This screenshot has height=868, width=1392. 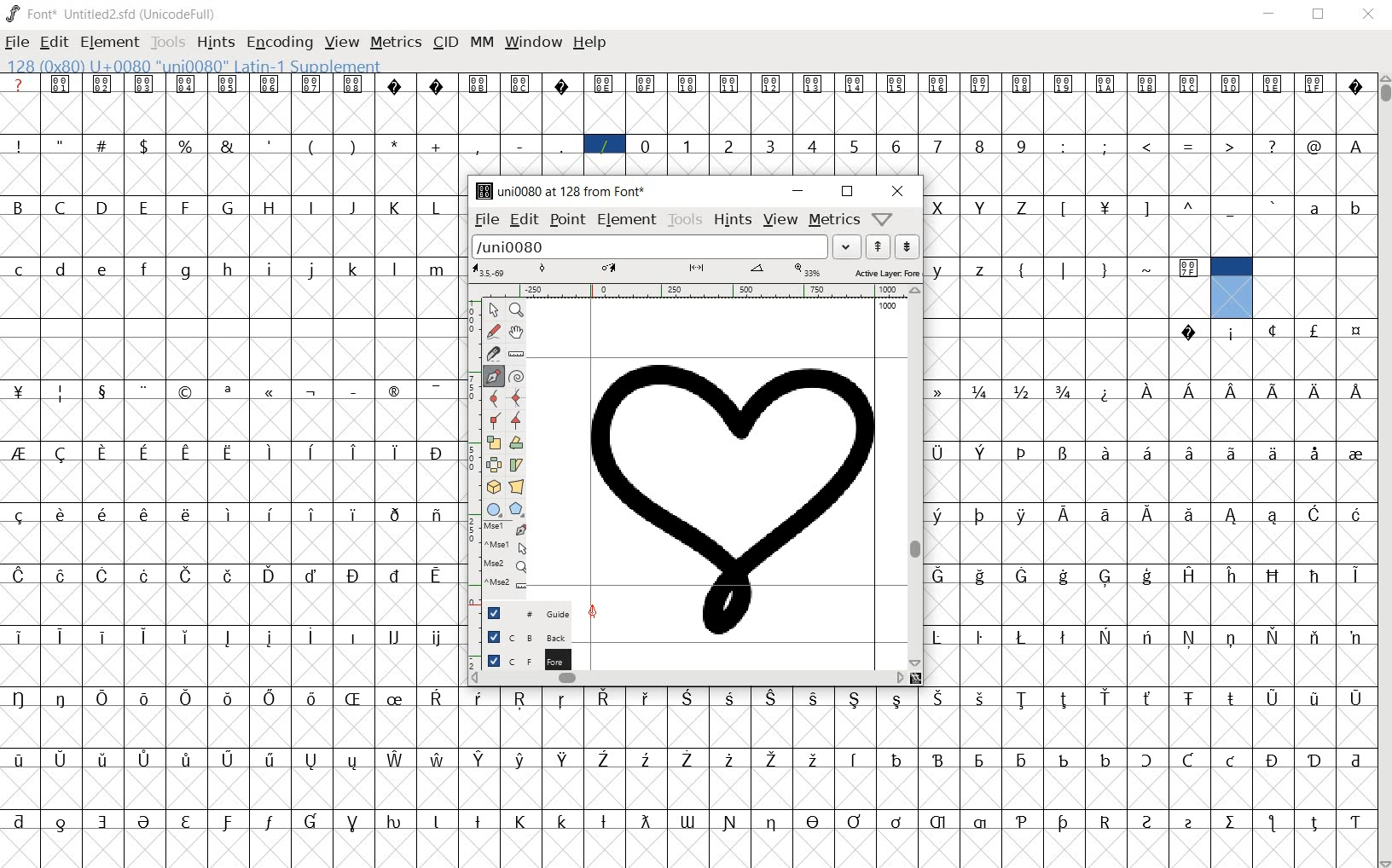 What do you see at coordinates (1232, 698) in the screenshot?
I see `glyph` at bounding box center [1232, 698].